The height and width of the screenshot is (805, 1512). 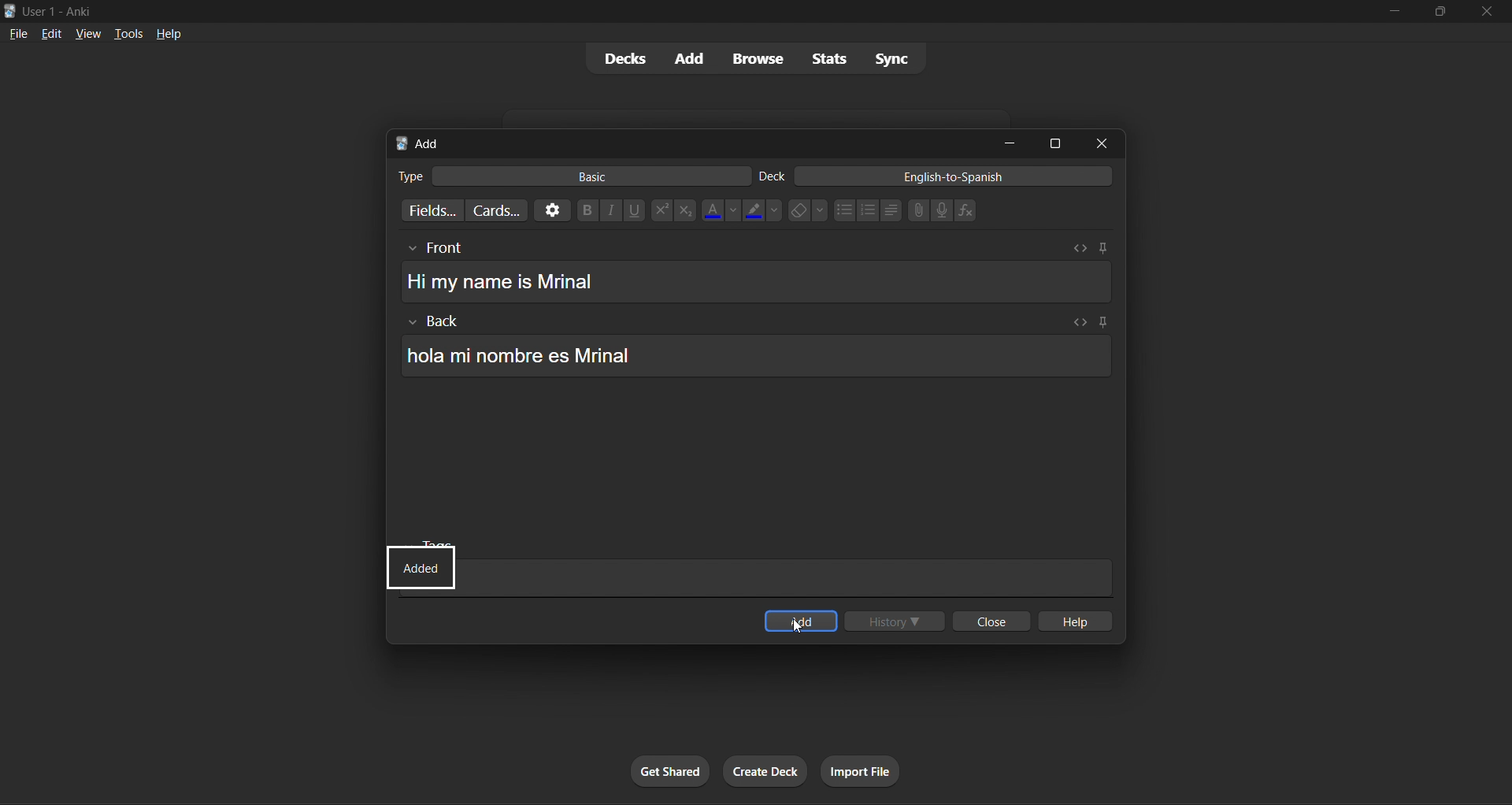 I want to click on text styling, so click(x=785, y=210).